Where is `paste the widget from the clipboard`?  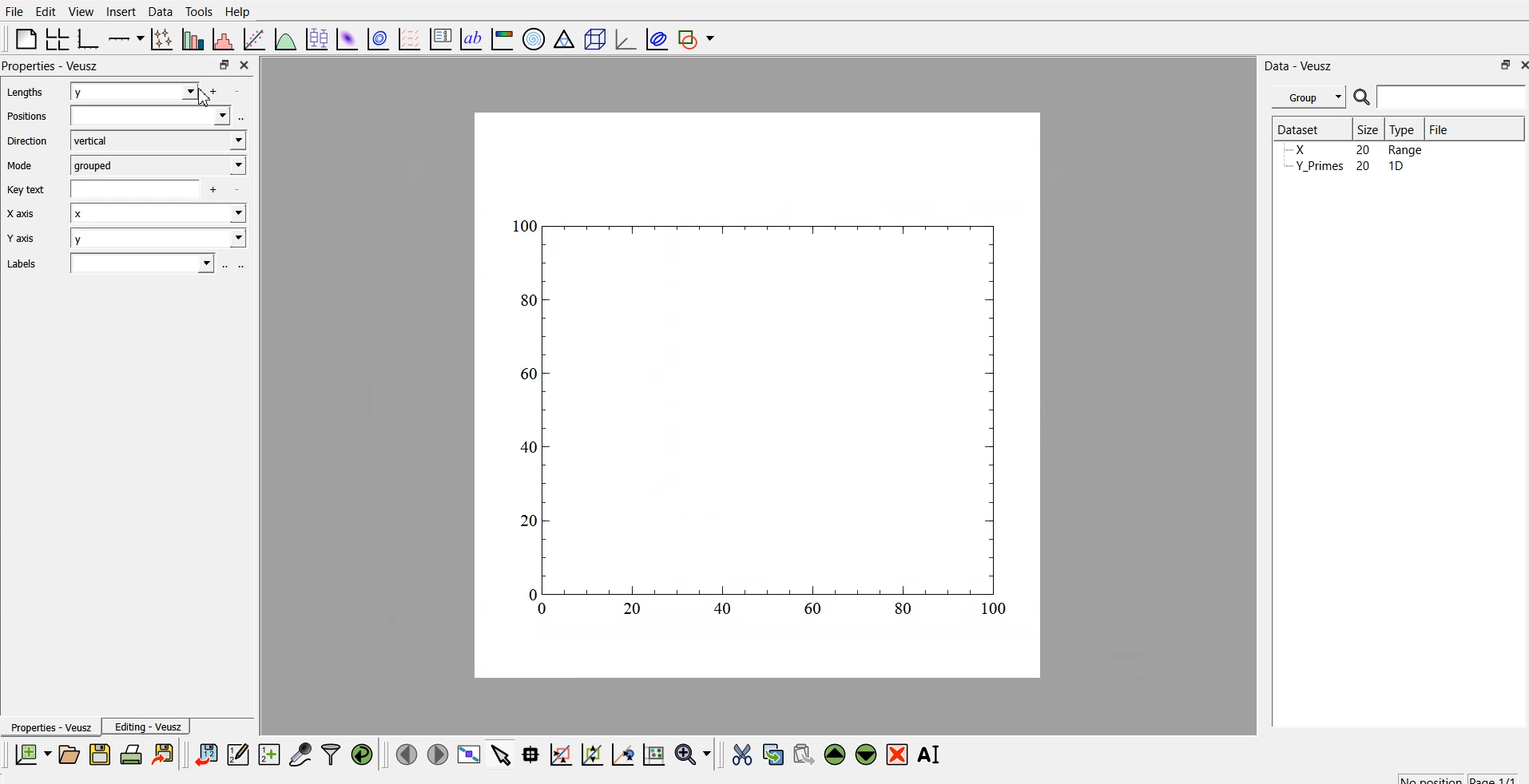
paste the widget from the clipboard is located at coordinates (804, 754).